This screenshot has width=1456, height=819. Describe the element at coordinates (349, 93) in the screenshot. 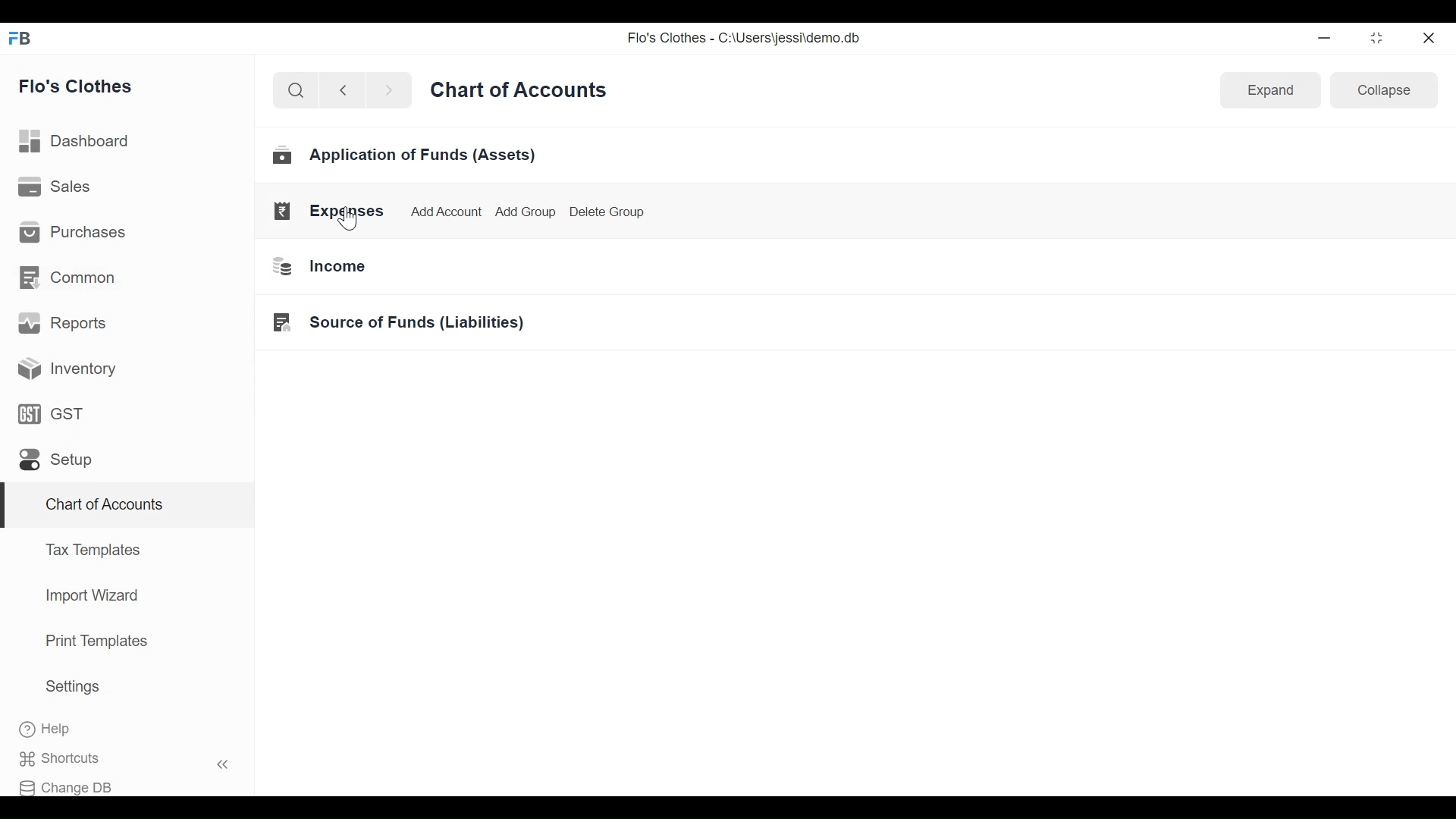

I see `back` at that location.